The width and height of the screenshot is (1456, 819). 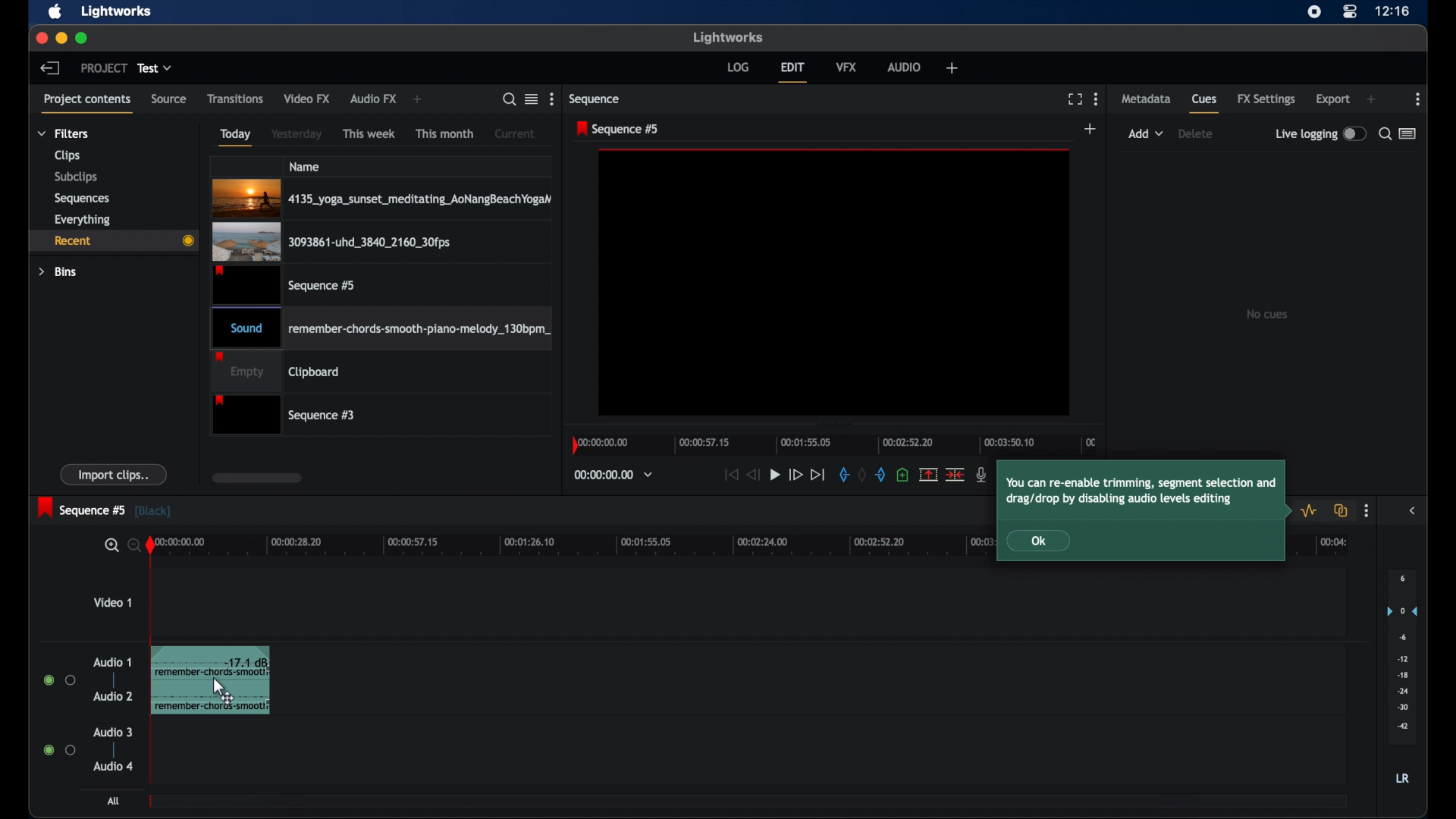 What do you see at coordinates (792, 72) in the screenshot?
I see `edit` at bounding box center [792, 72].